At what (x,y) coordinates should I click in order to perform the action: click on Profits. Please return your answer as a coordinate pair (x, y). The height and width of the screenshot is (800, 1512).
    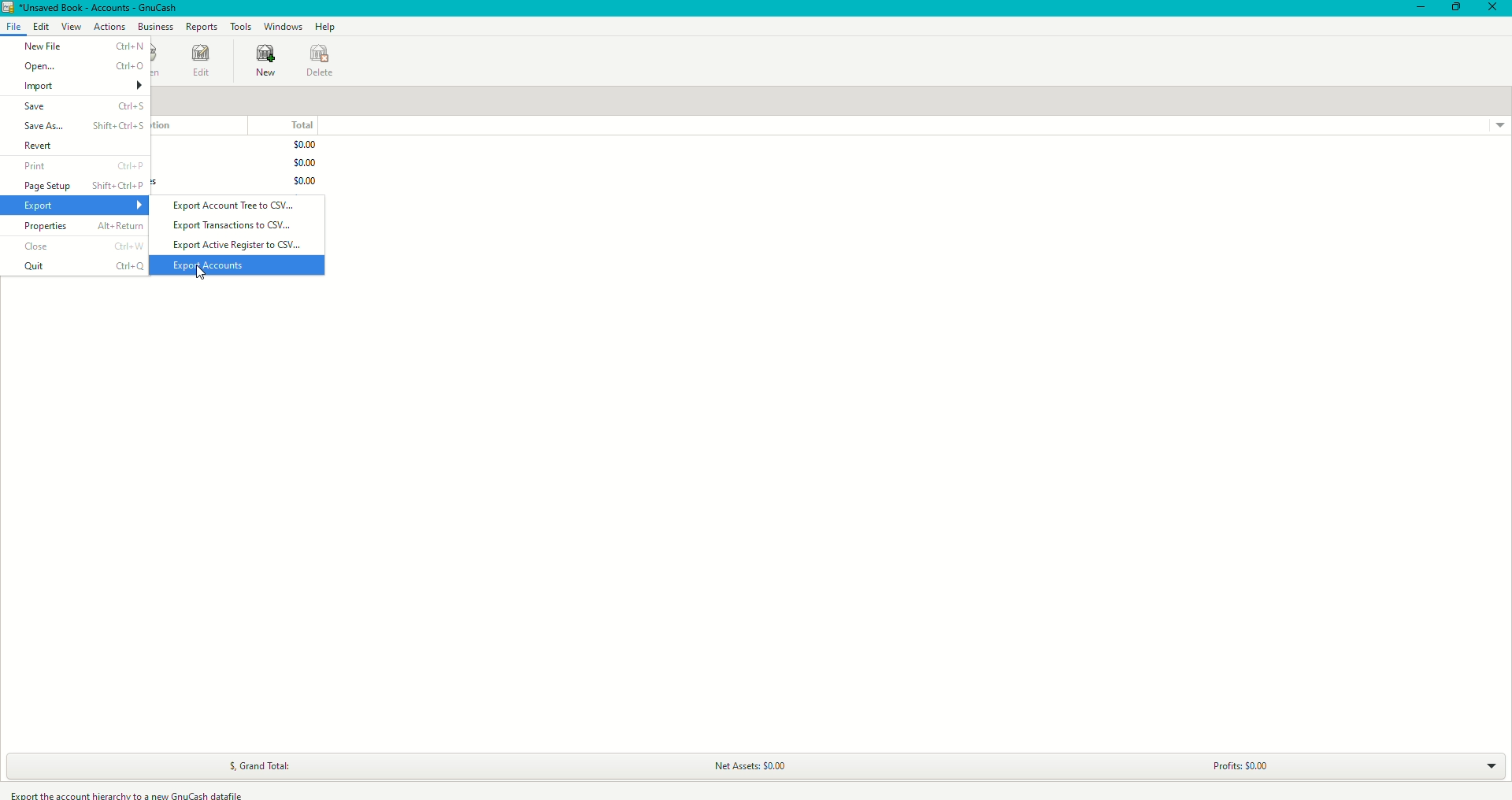
    Looking at the image, I should click on (1237, 761).